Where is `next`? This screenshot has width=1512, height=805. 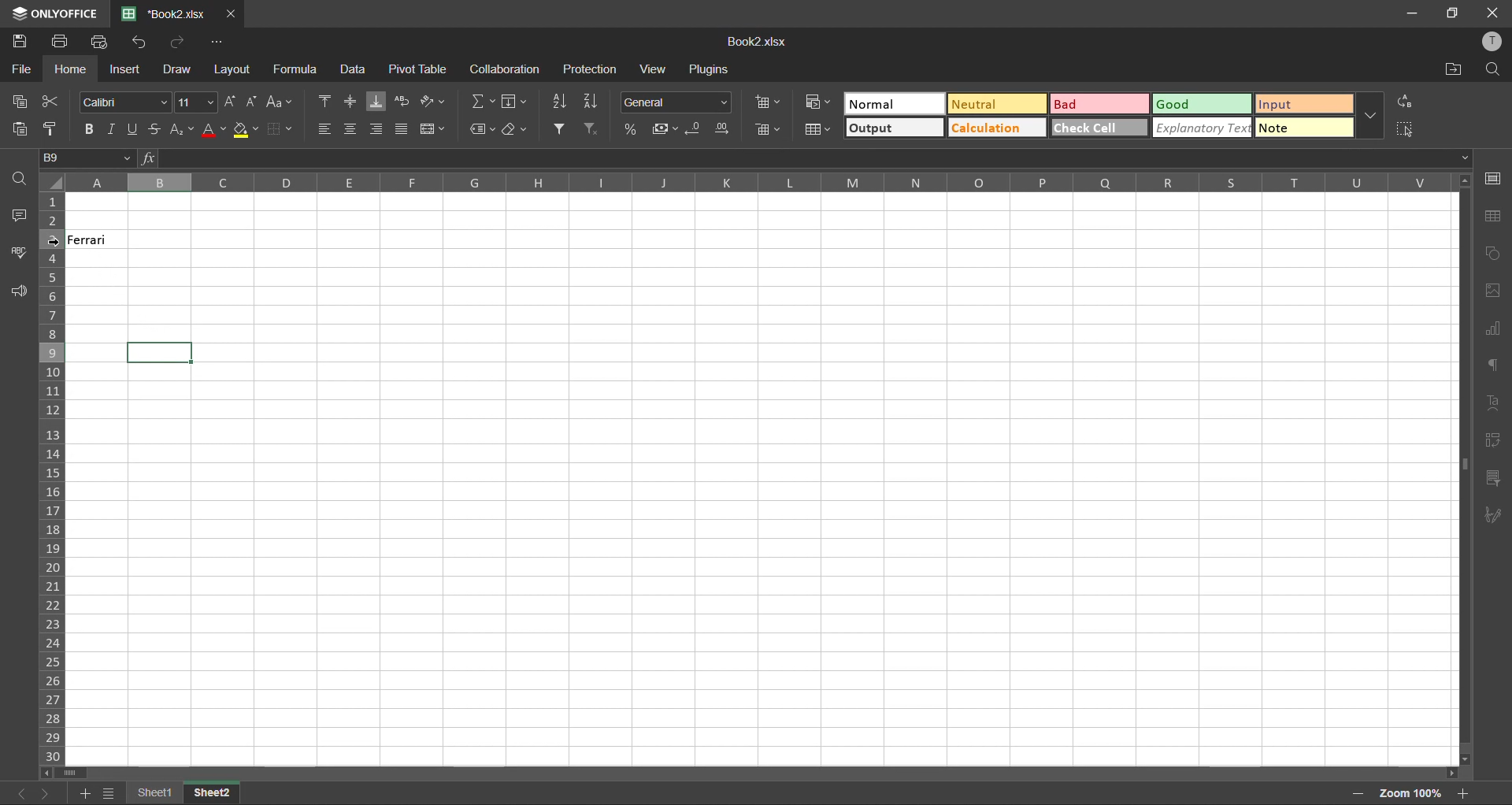 next is located at coordinates (50, 792).